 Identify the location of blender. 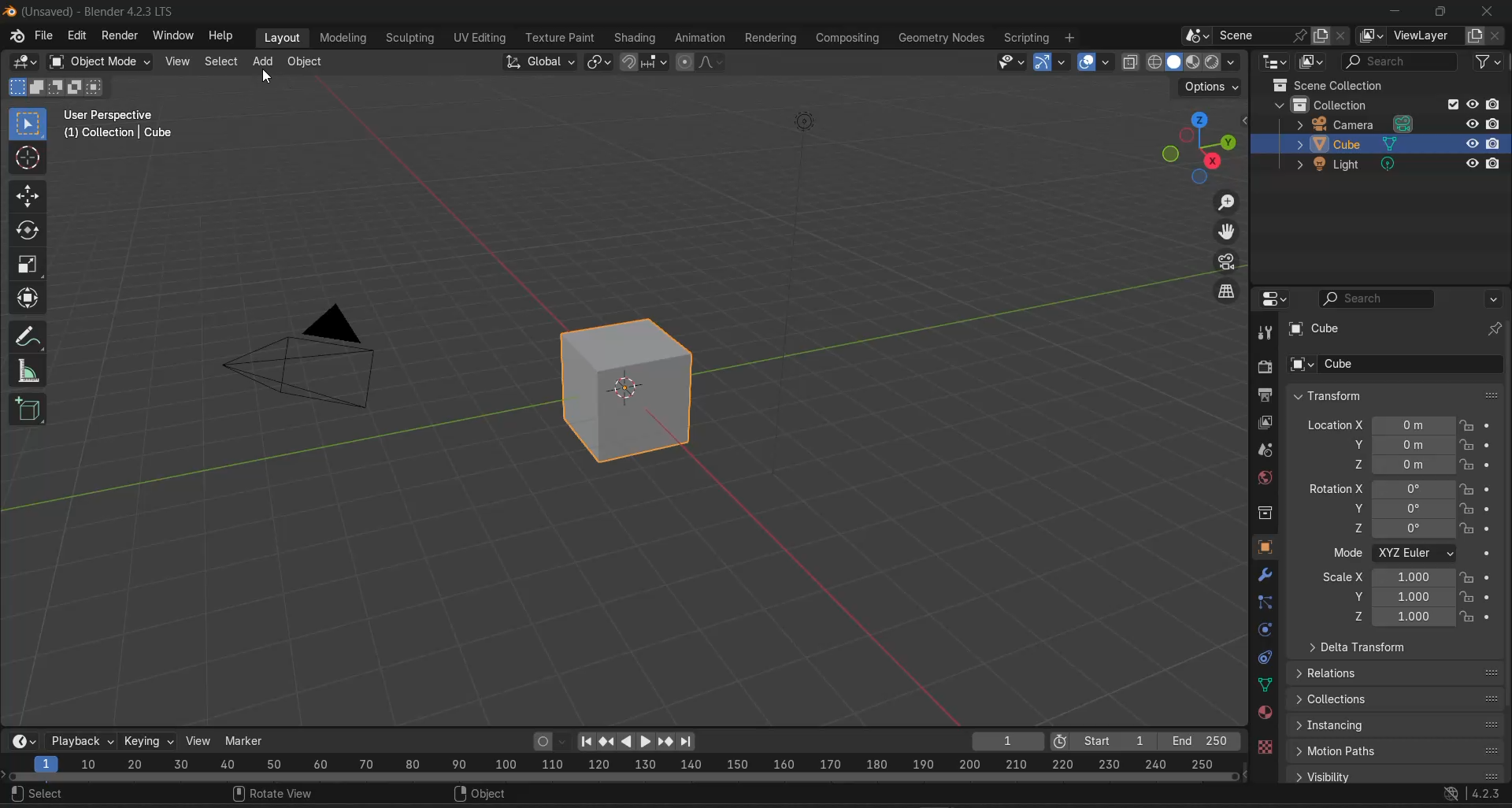
(15, 38).